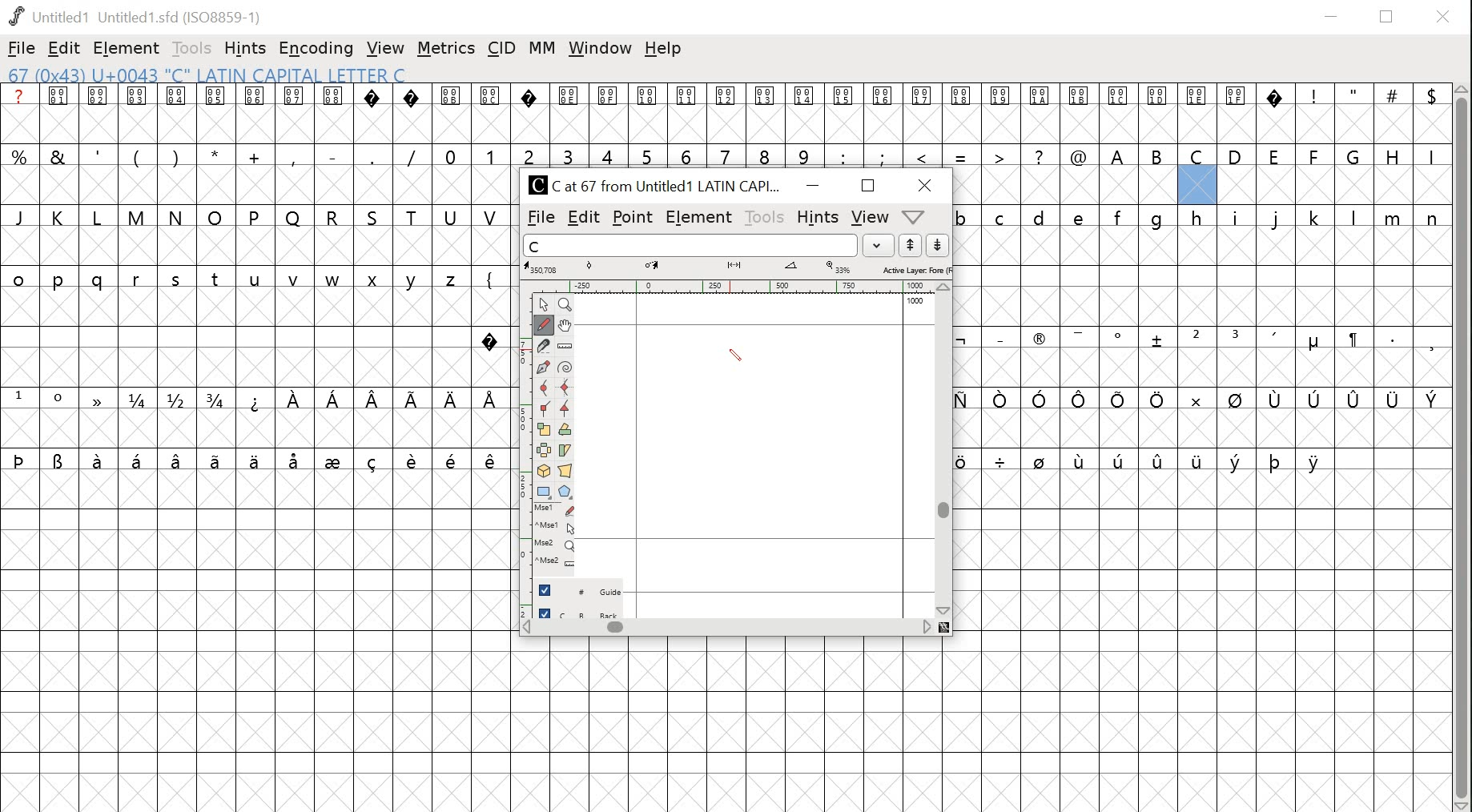 Image resolution: width=1472 pixels, height=812 pixels. Describe the element at coordinates (738, 267) in the screenshot. I see `measurement` at that location.